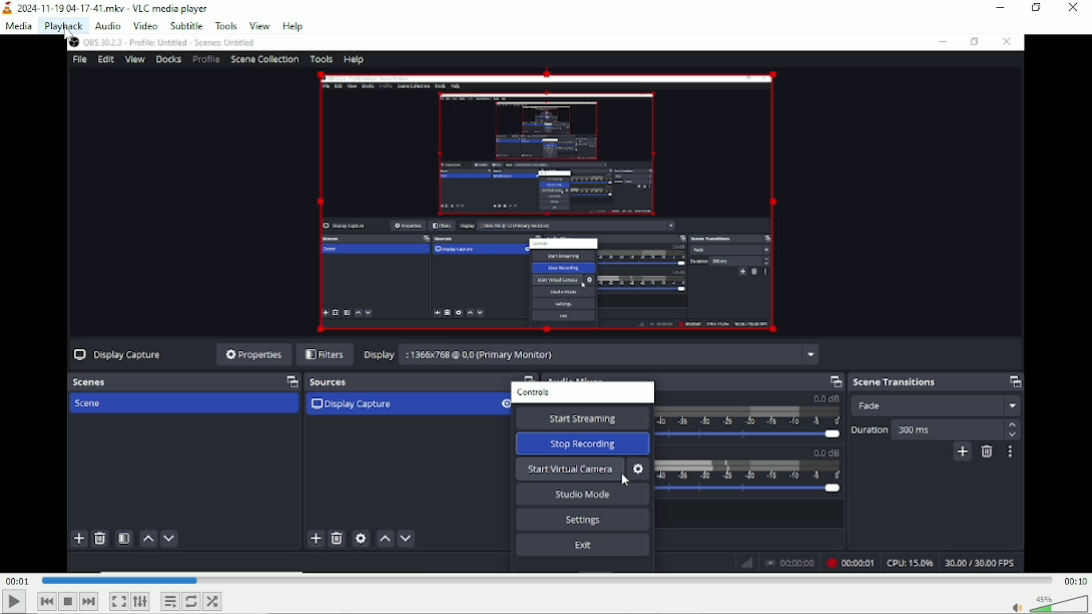 The width and height of the screenshot is (1092, 614). What do you see at coordinates (68, 601) in the screenshot?
I see `Stop playback` at bounding box center [68, 601].